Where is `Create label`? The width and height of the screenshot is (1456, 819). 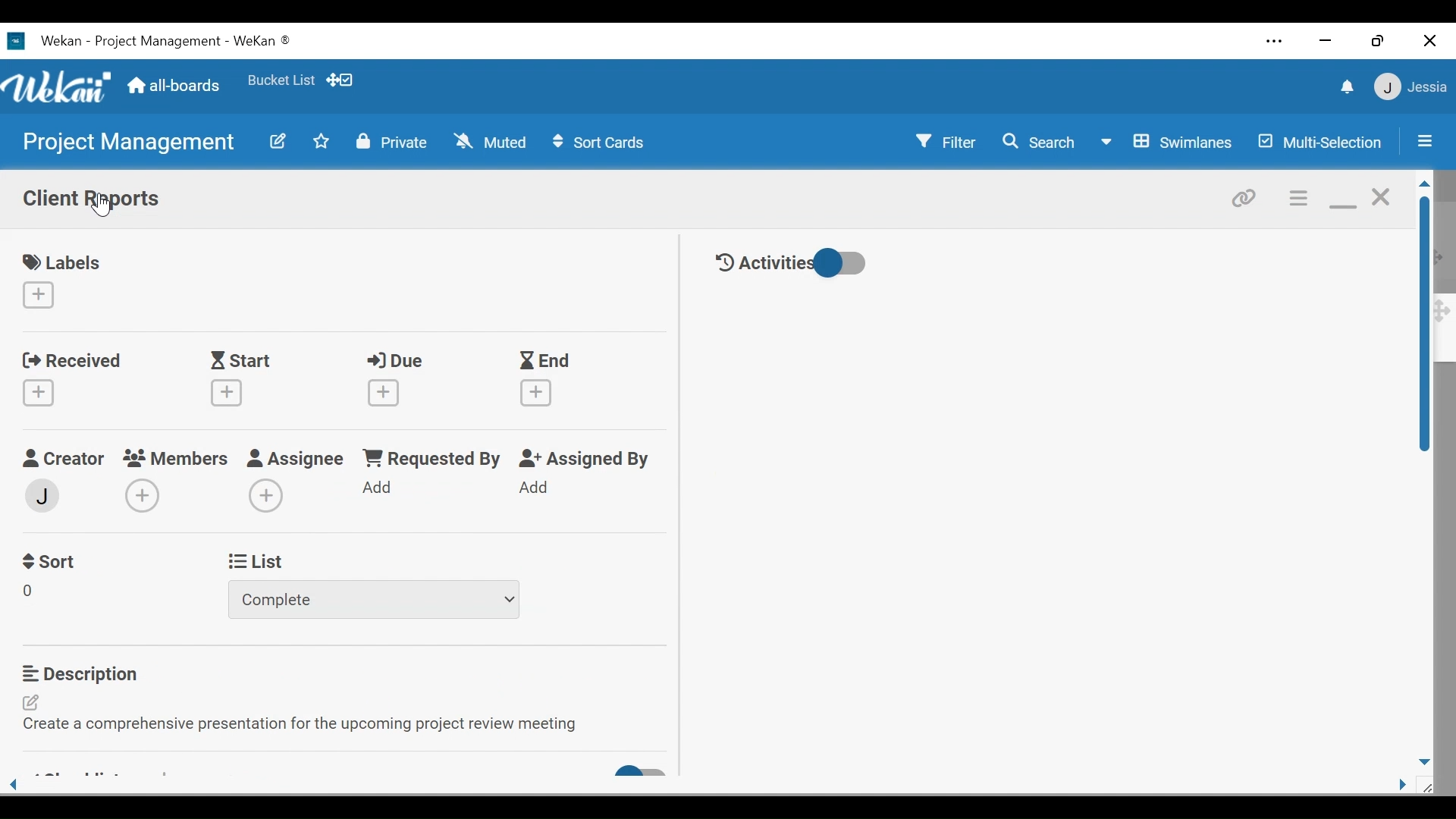 Create label is located at coordinates (39, 295).